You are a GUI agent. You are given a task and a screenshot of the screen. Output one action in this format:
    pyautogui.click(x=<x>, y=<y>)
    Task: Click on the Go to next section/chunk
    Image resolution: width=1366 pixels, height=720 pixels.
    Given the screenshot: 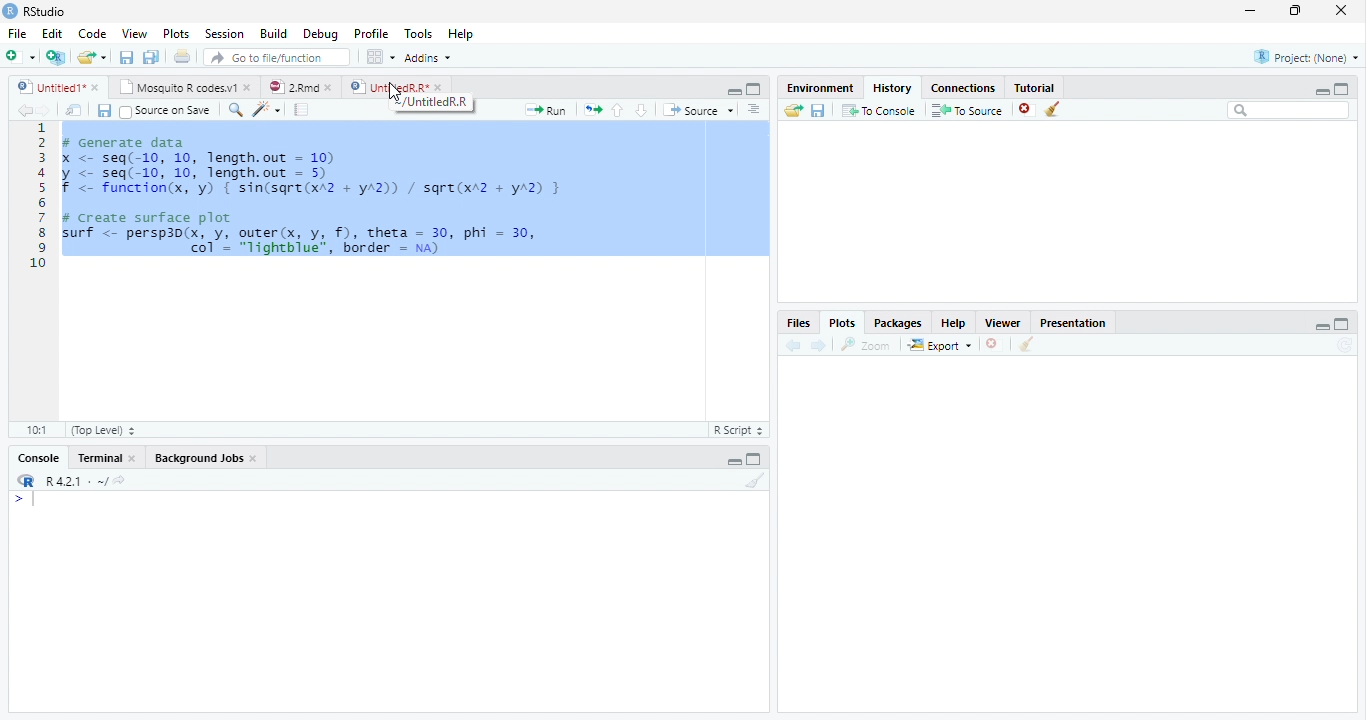 What is the action you would take?
    pyautogui.click(x=641, y=109)
    